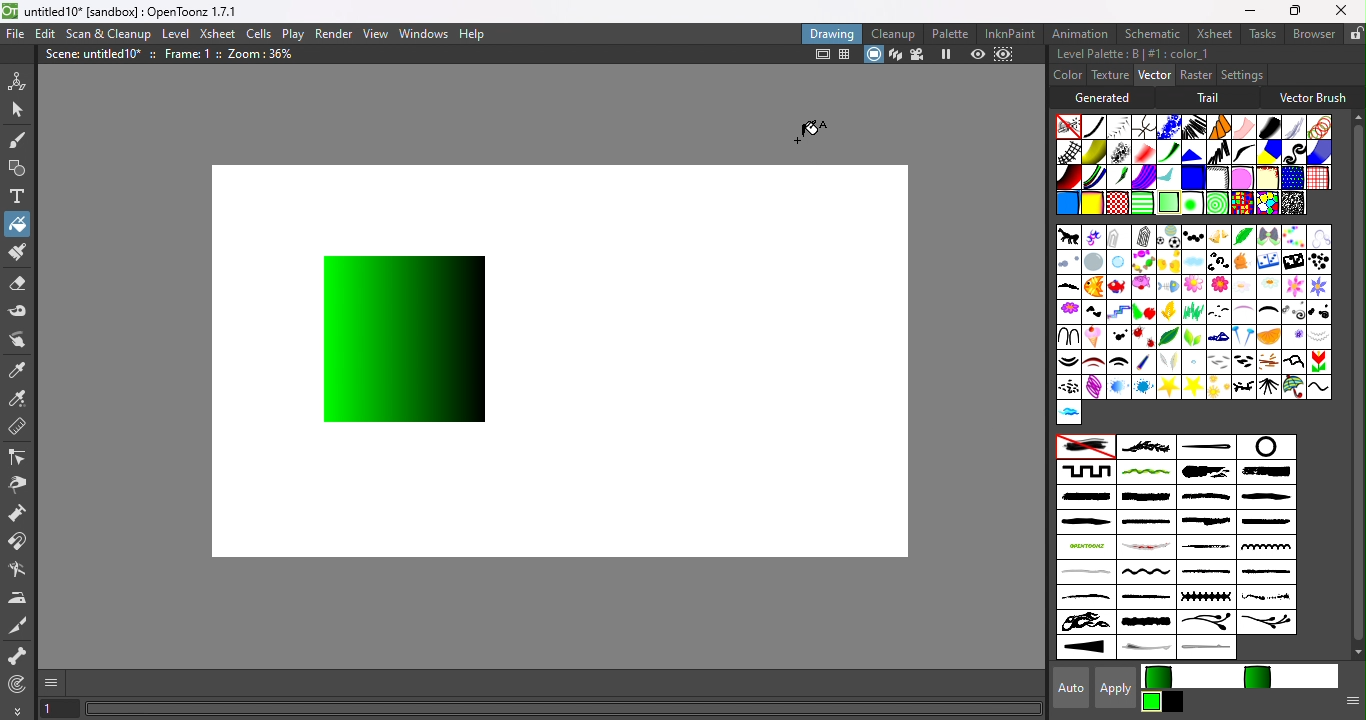 This screenshot has height=720, width=1366. What do you see at coordinates (1293, 387) in the screenshot?
I see `Umbrella` at bounding box center [1293, 387].